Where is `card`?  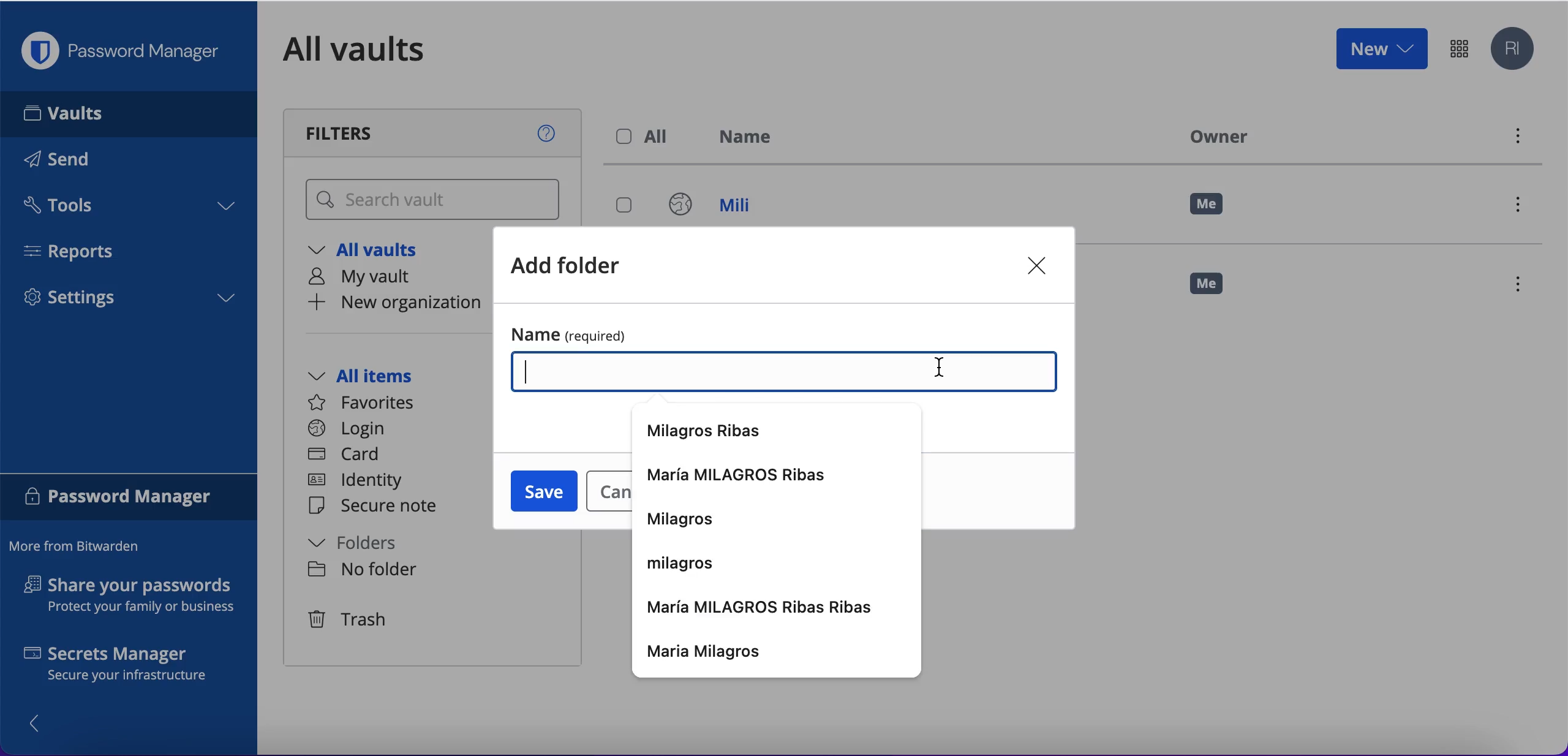
card is located at coordinates (346, 456).